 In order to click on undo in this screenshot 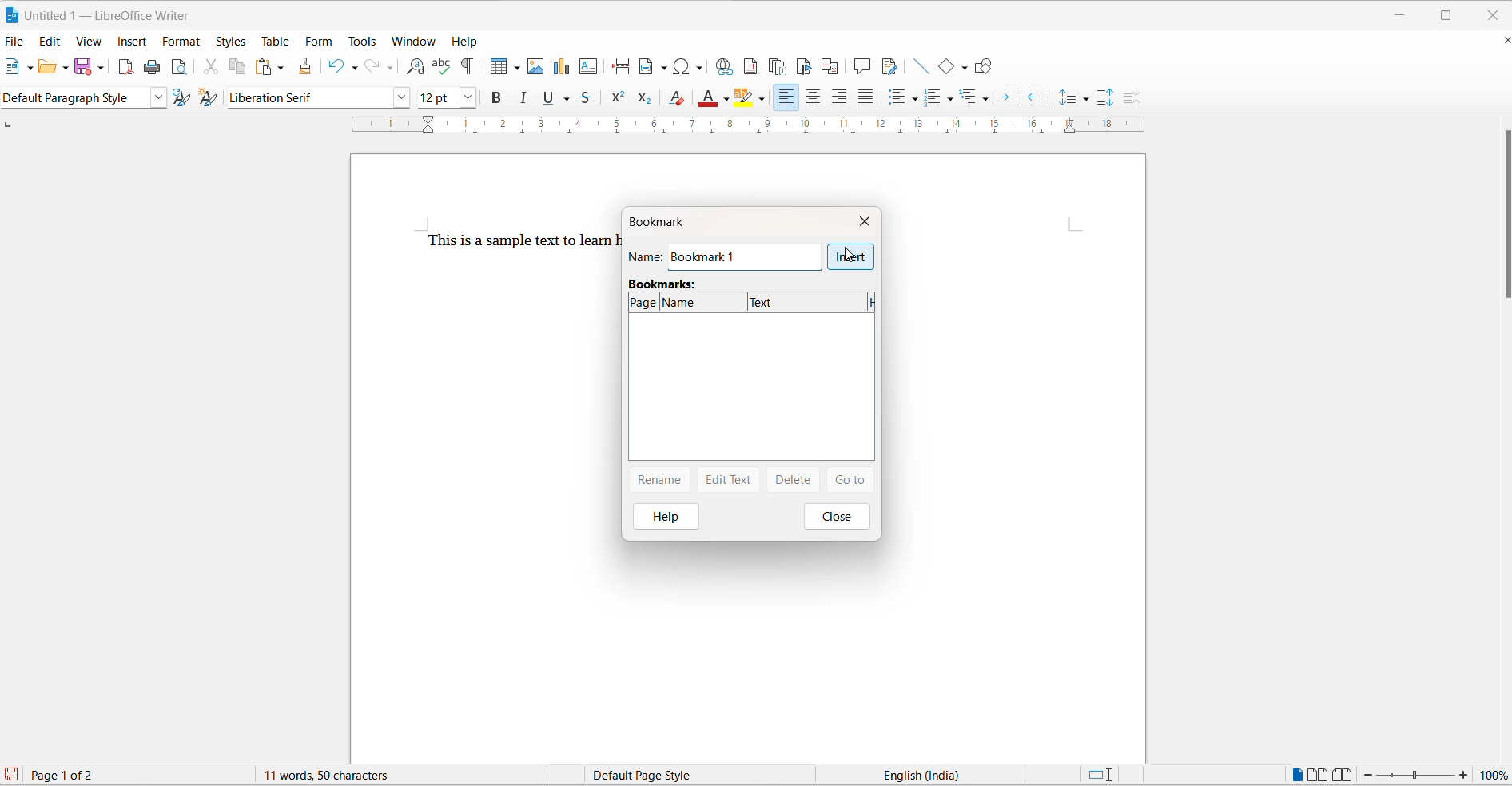, I will do `click(336, 67)`.